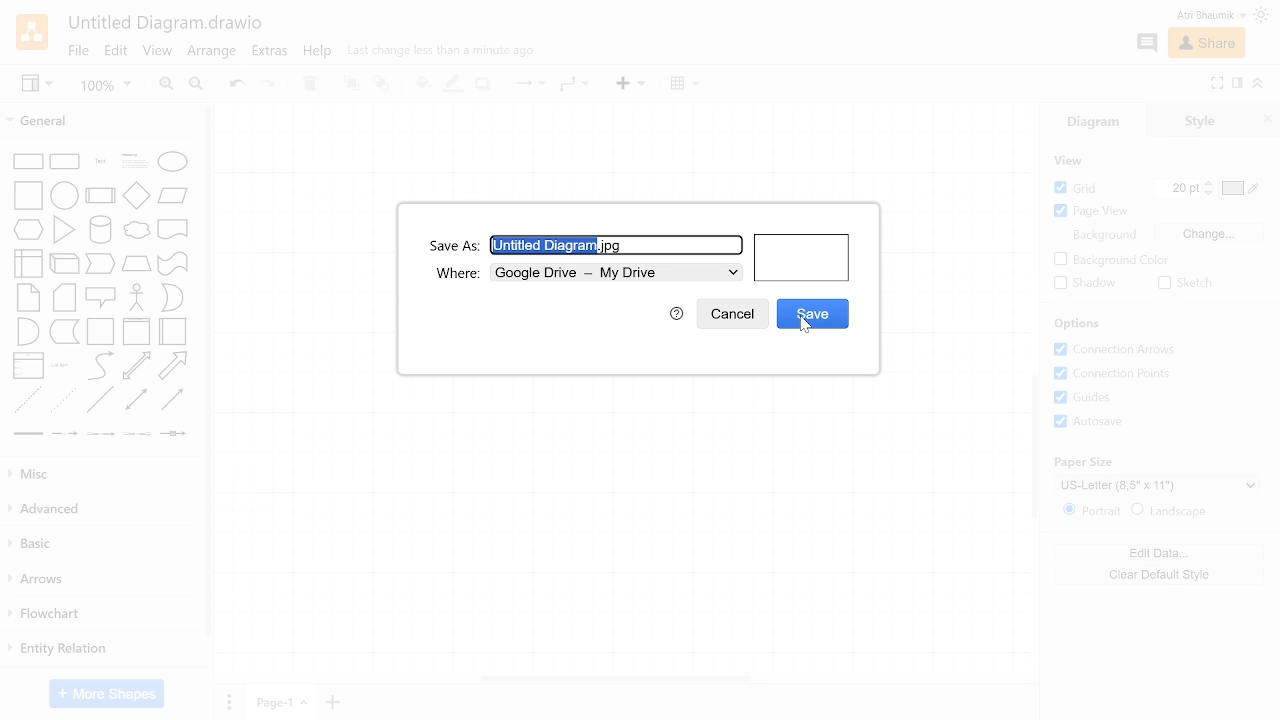  I want to click on Diagrams, so click(1095, 124).